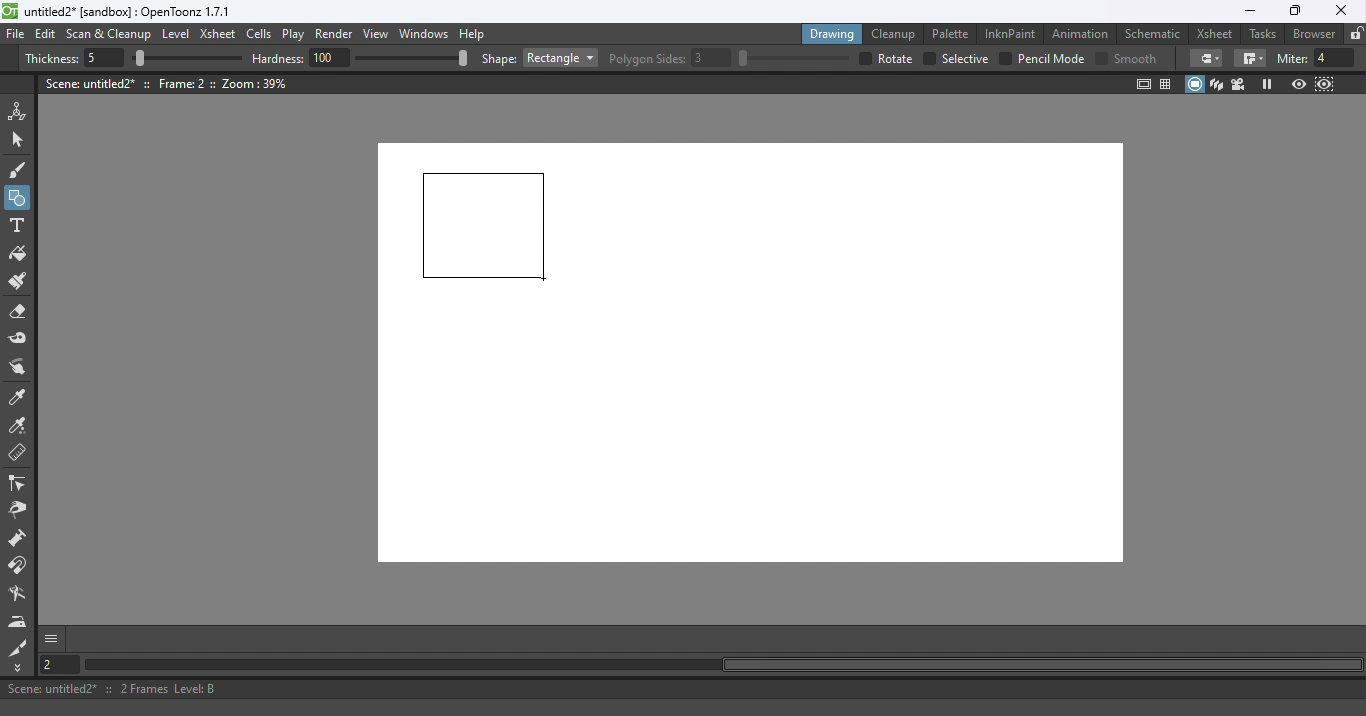  I want to click on Ruler tool, so click(18, 455).